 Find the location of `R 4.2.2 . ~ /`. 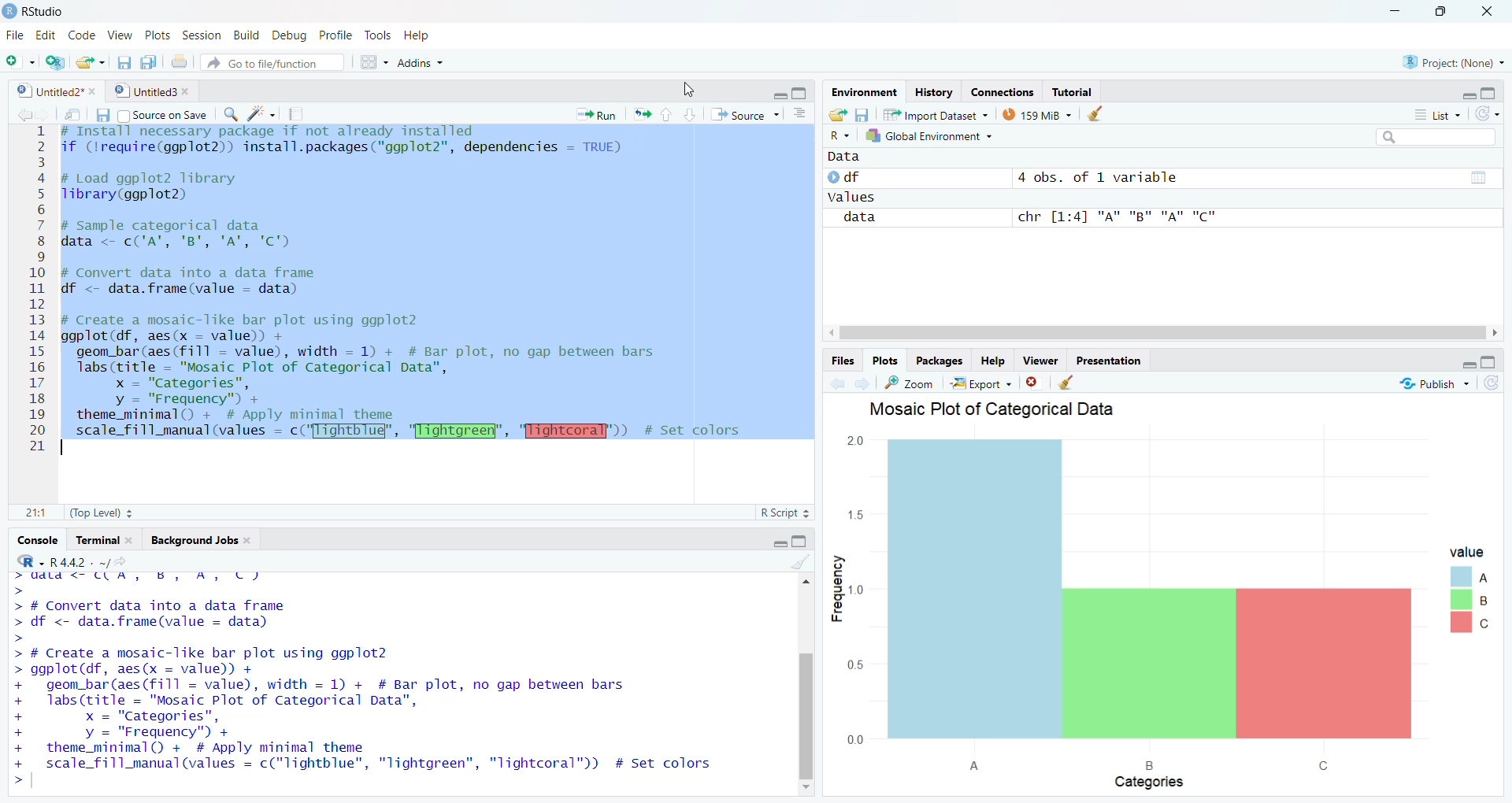

R 4.2.2 . ~ / is located at coordinates (78, 564).